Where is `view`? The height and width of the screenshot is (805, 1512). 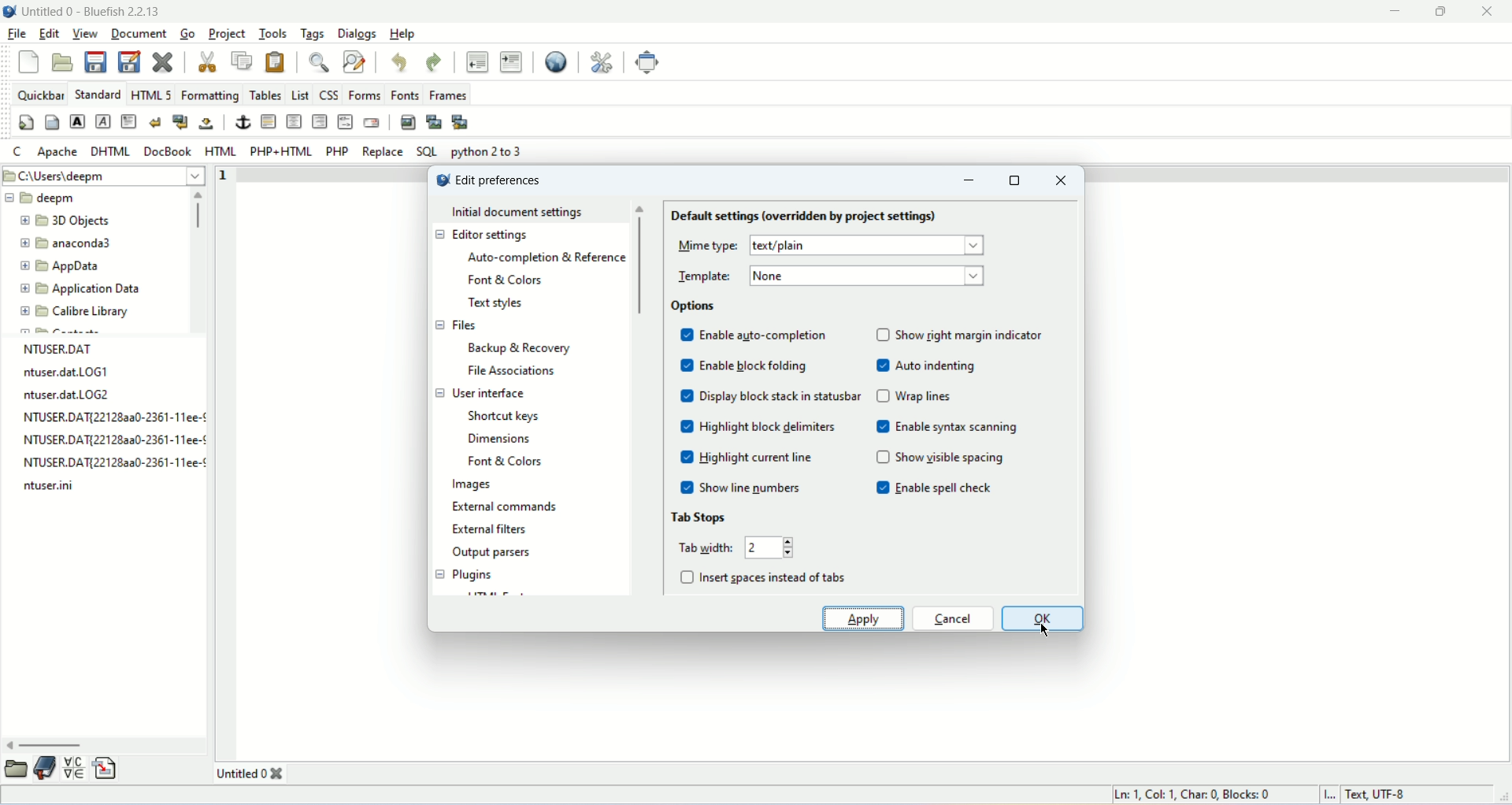
view is located at coordinates (82, 34).